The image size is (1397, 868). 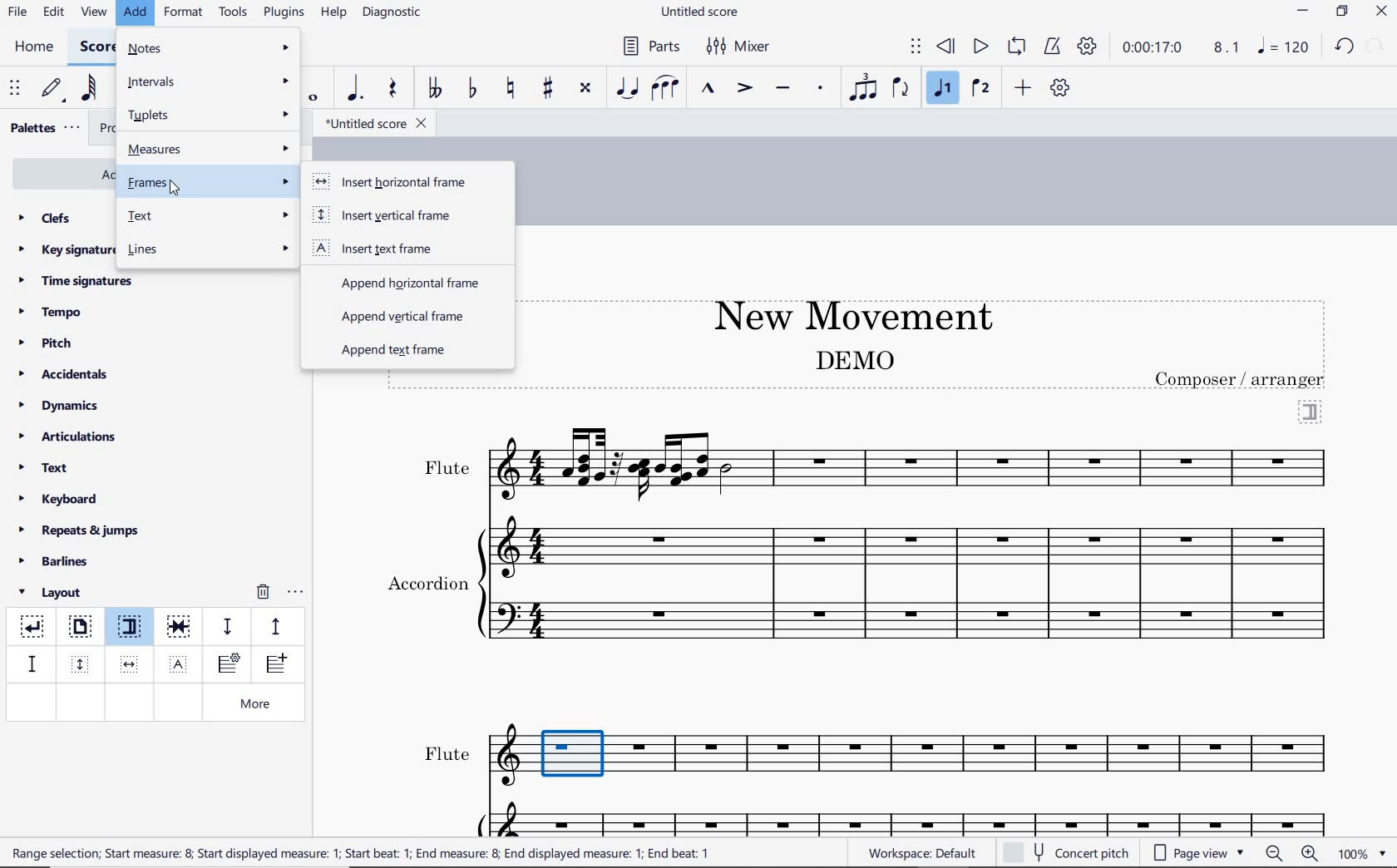 What do you see at coordinates (63, 406) in the screenshot?
I see `dynamics` at bounding box center [63, 406].